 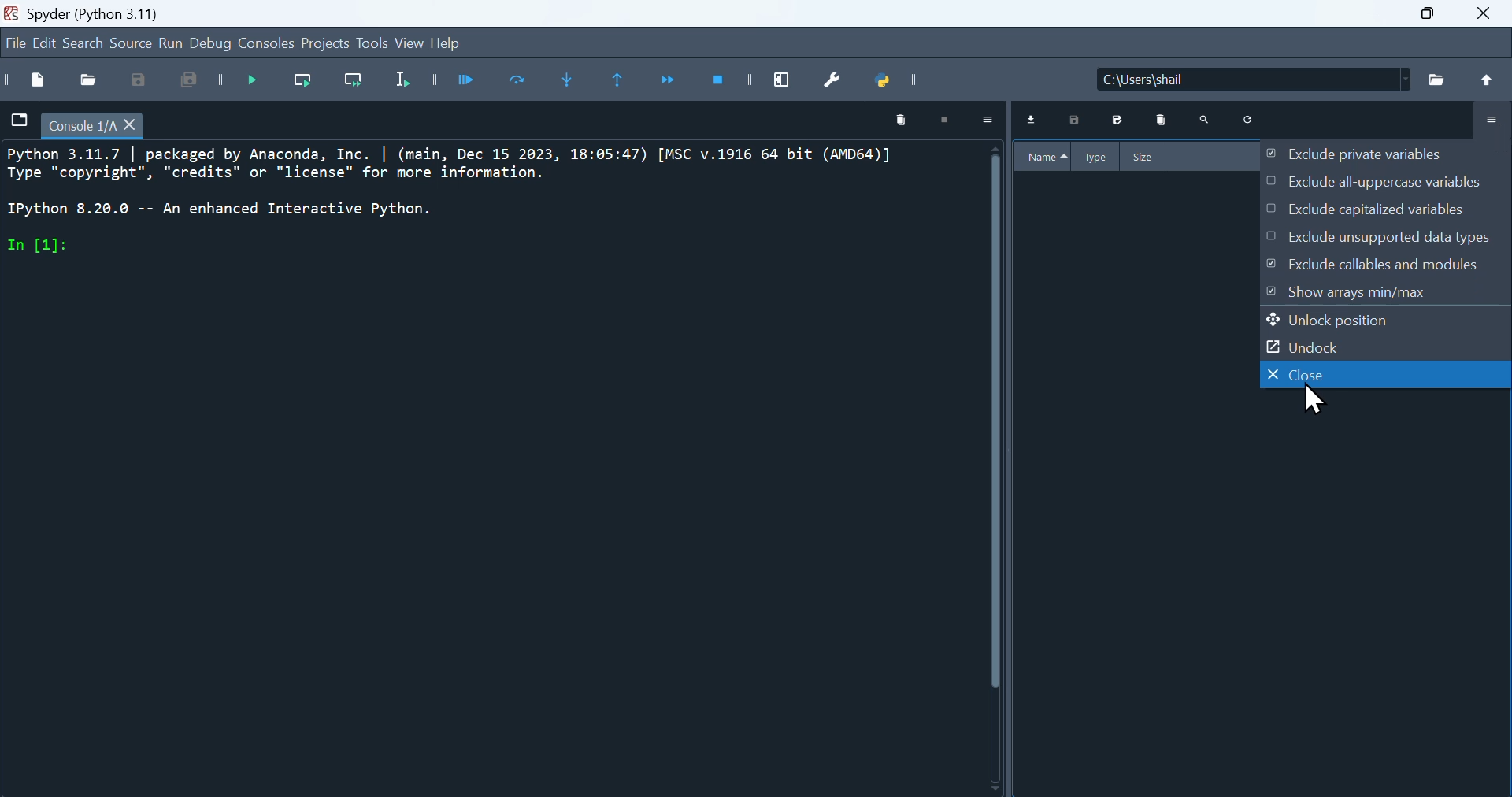 What do you see at coordinates (28, 80) in the screenshot?
I see `New file` at bounding box center [28, 80].